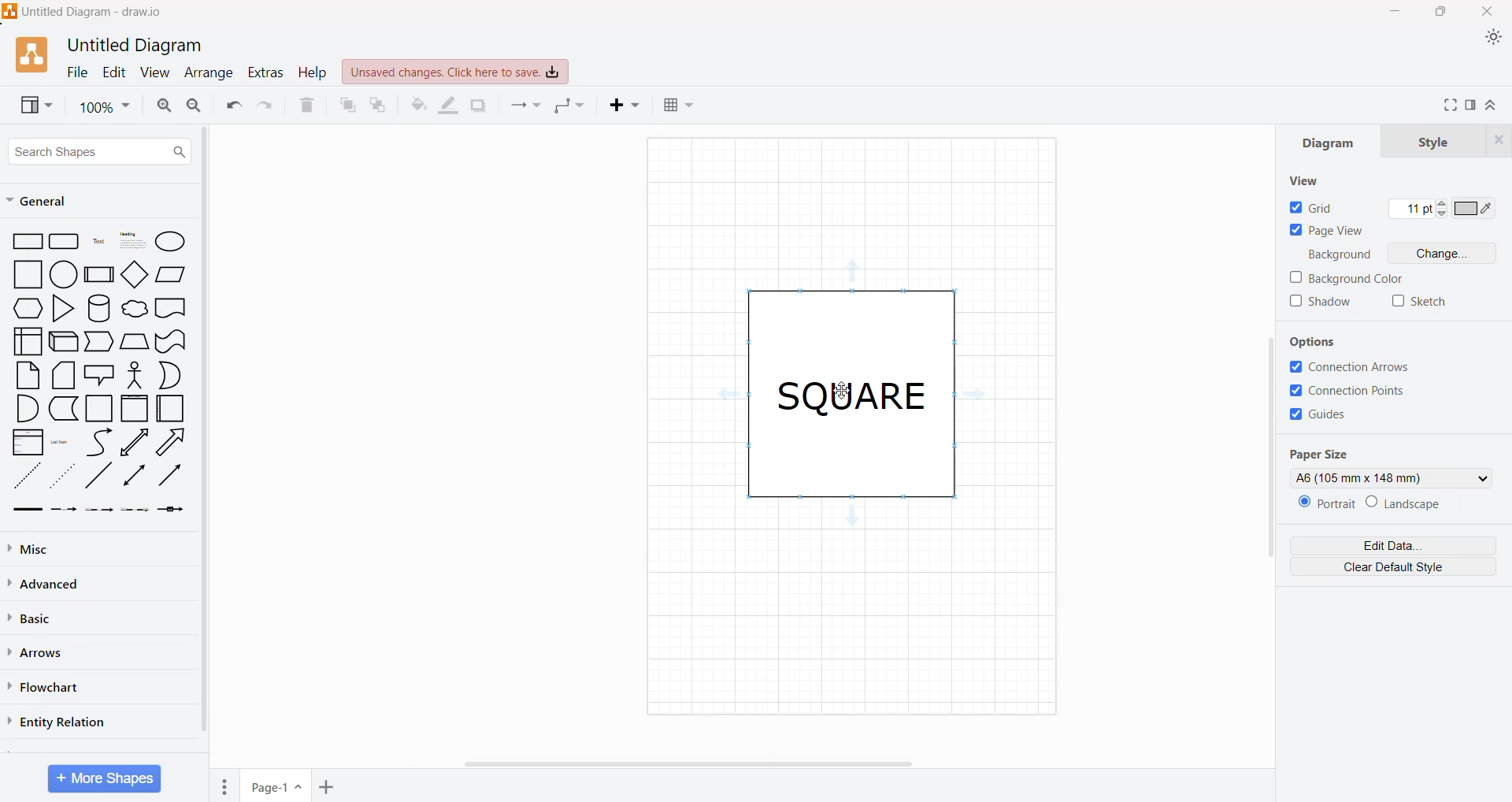 This screenshot has width=1512, height=802. What do you see at coordinates (315, 72) in the screenshot?
I see `Help` at bounding box center [315, 72].